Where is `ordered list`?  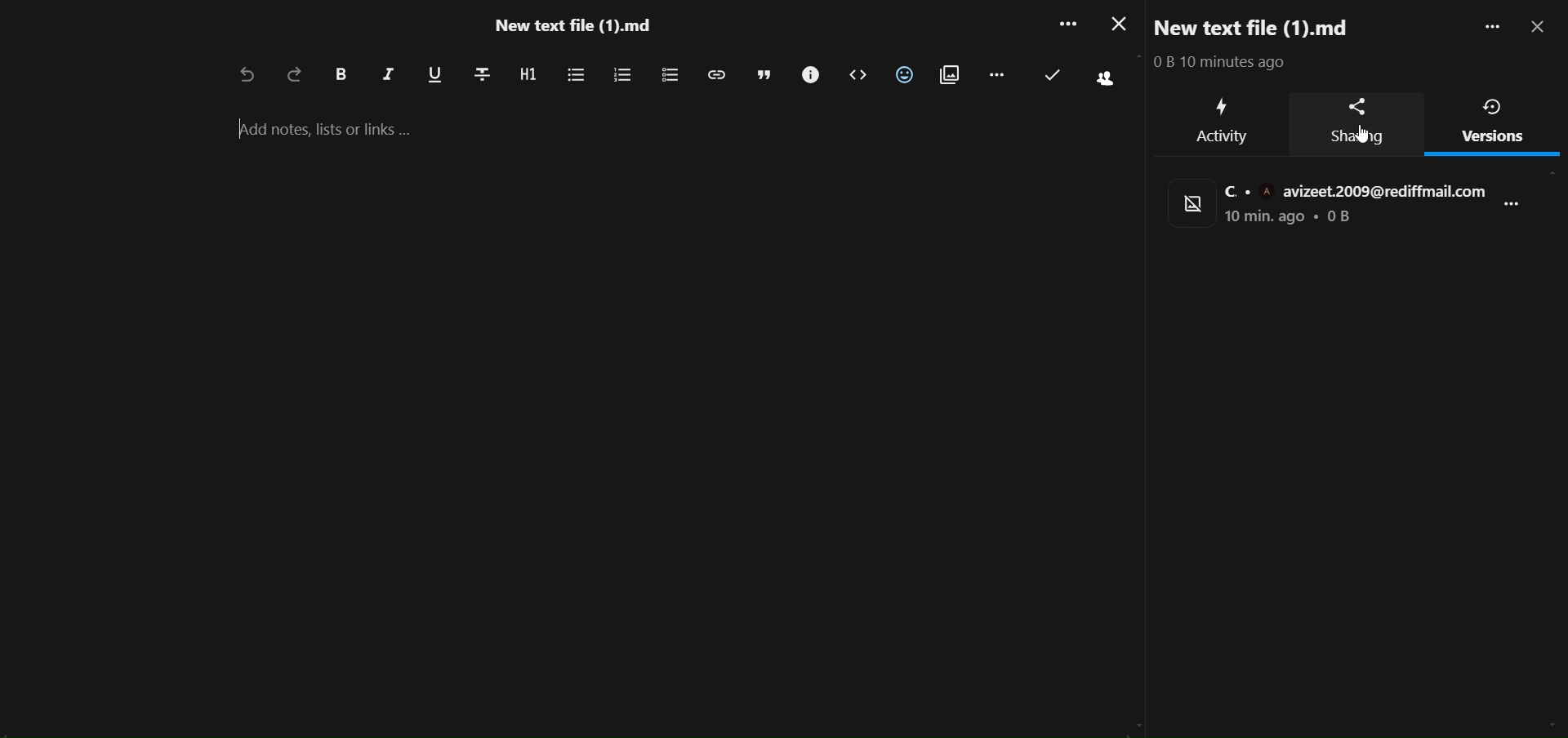
ordered list is located at coordinates (621, 76).